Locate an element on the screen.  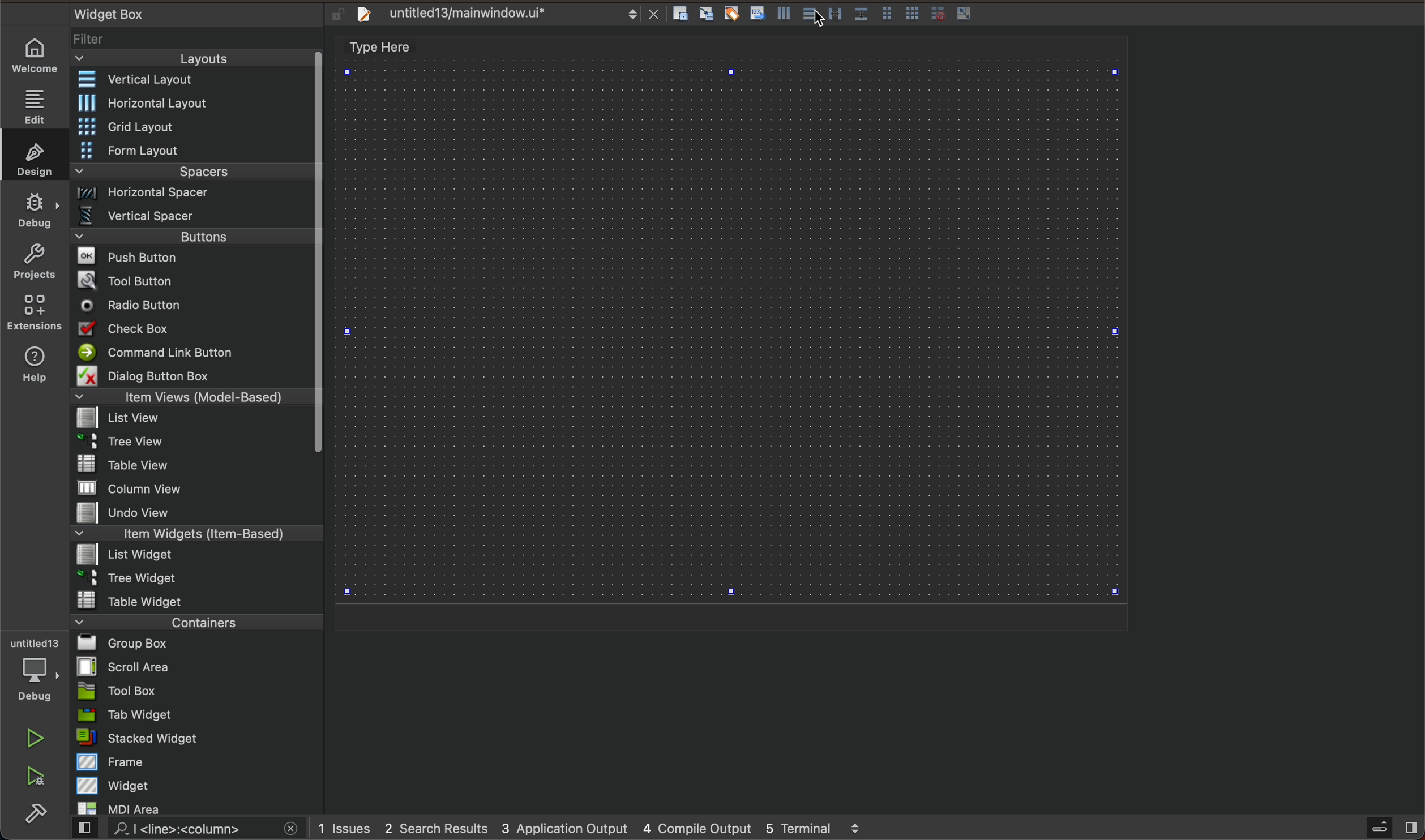
command line button is located at coordinates (191, 352).